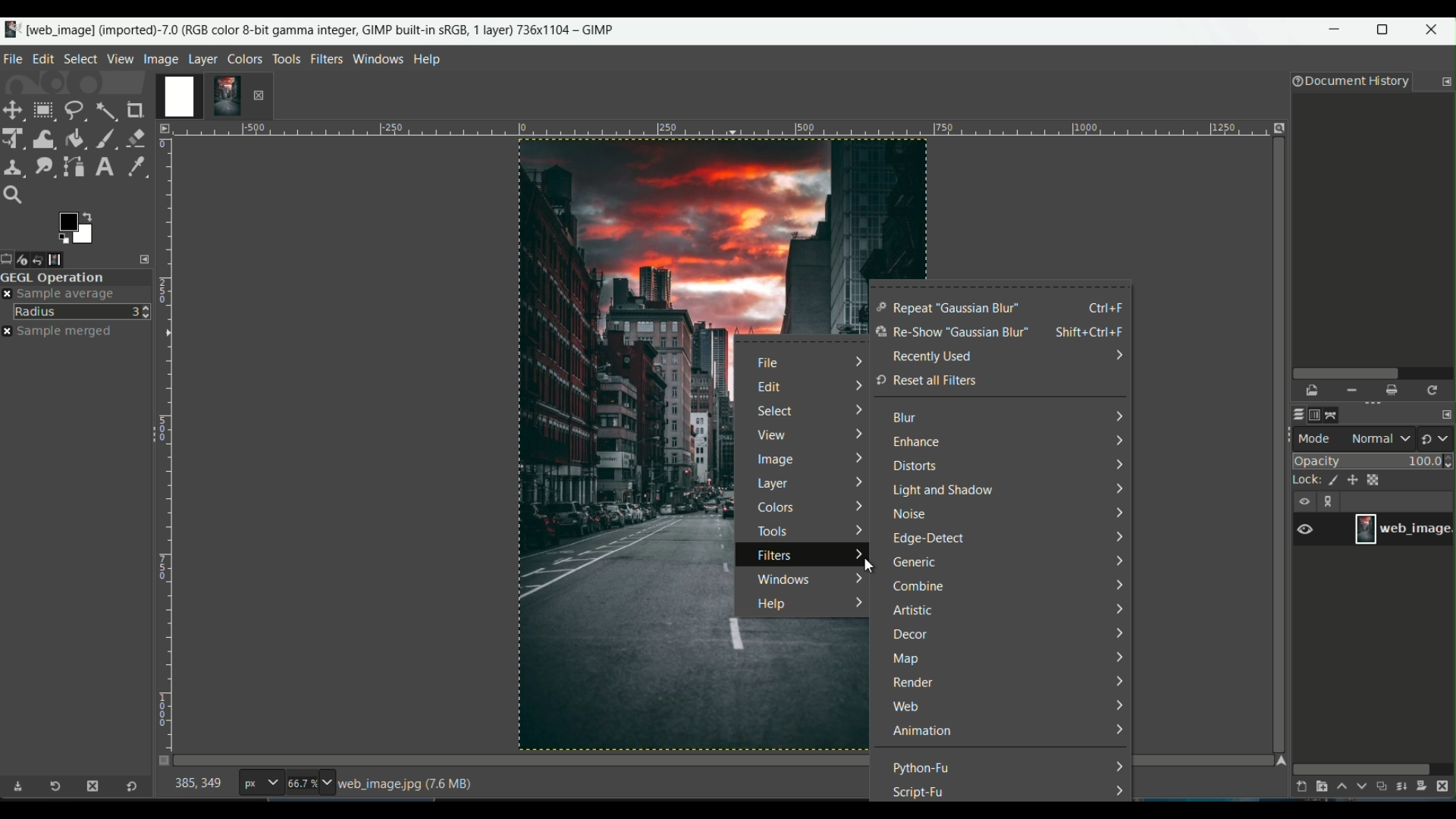 The width and height of the screenshot is (1456, 819). What do you see at coordinates (260, 784) in the screenshot?
I see `measurement scale` at bounding box center [260, 784].